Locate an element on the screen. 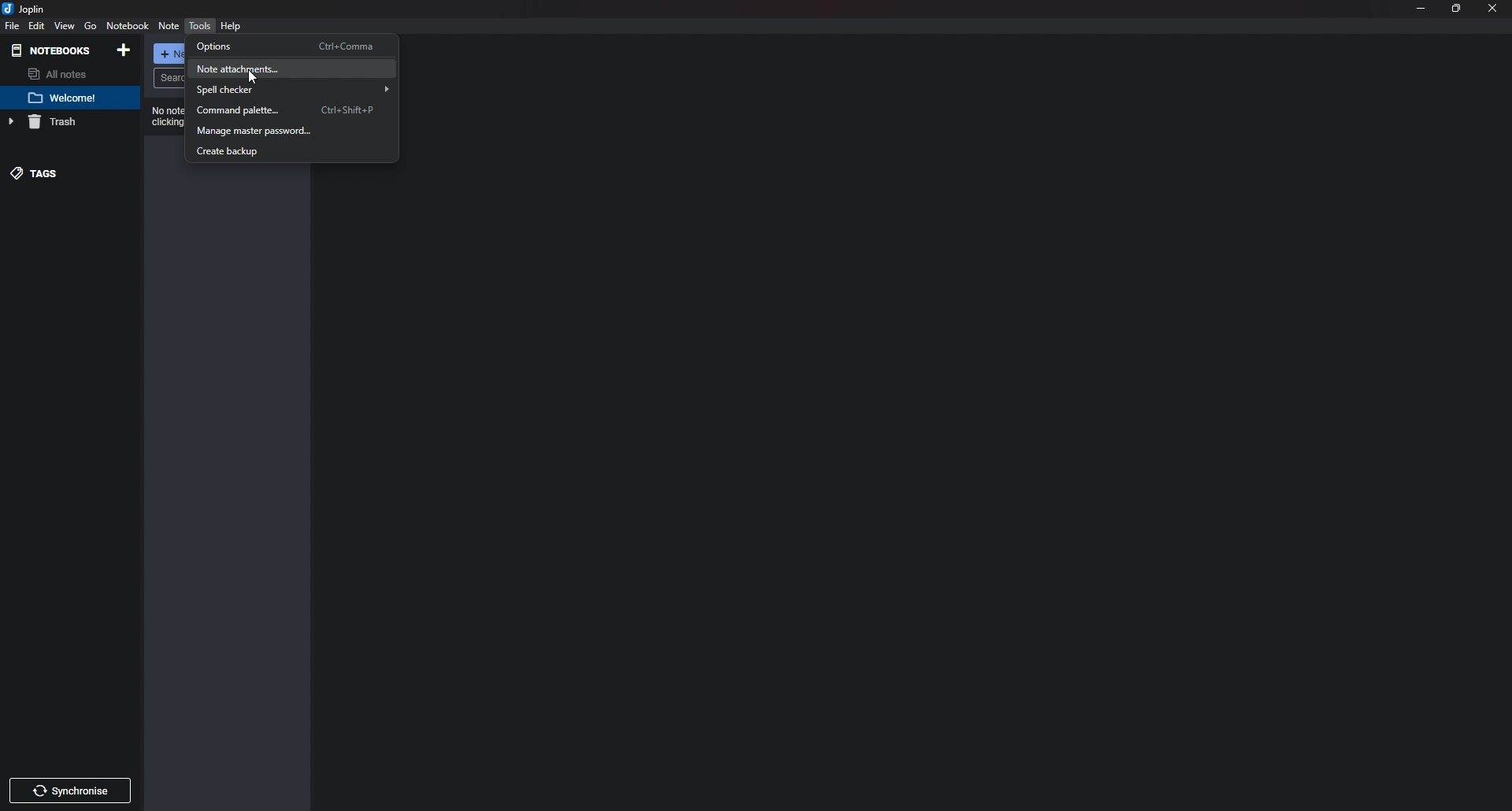 The image size is (1512, 811). Create backup is located at coordinates (286, 153).